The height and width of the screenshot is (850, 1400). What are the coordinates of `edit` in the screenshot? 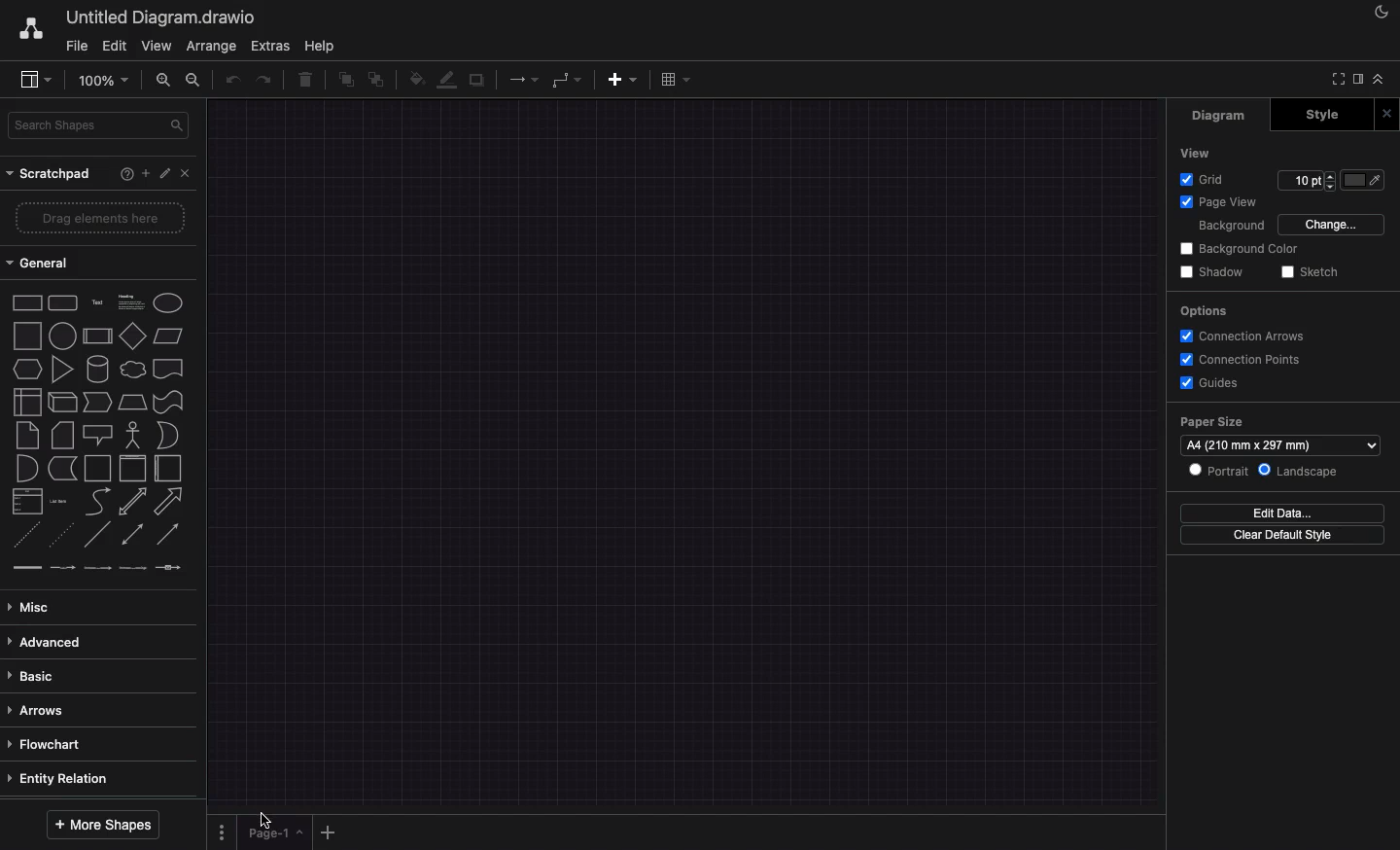 It's located at (165, 172).